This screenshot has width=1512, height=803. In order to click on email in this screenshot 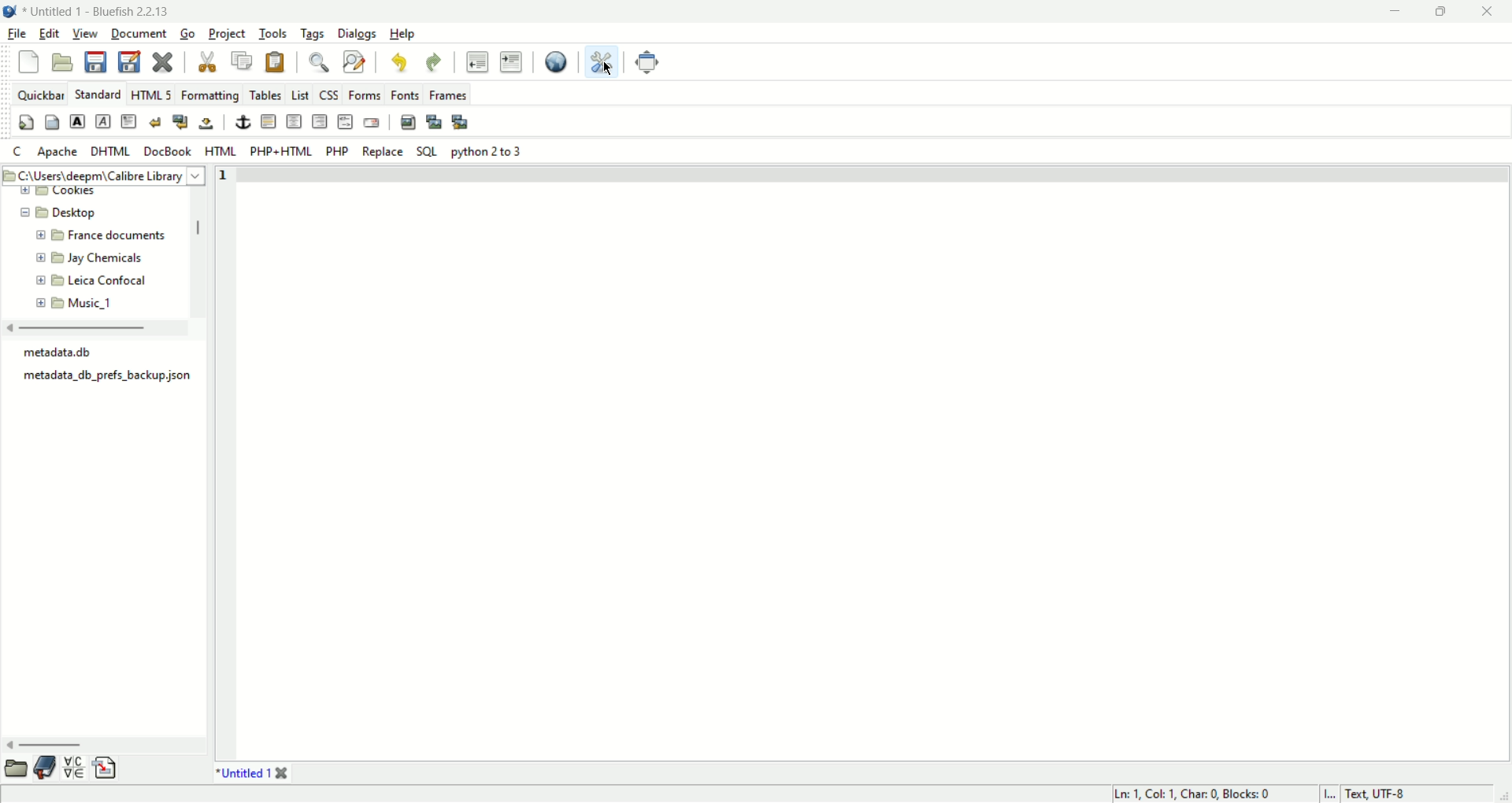, I will do `click(373, 121)`.